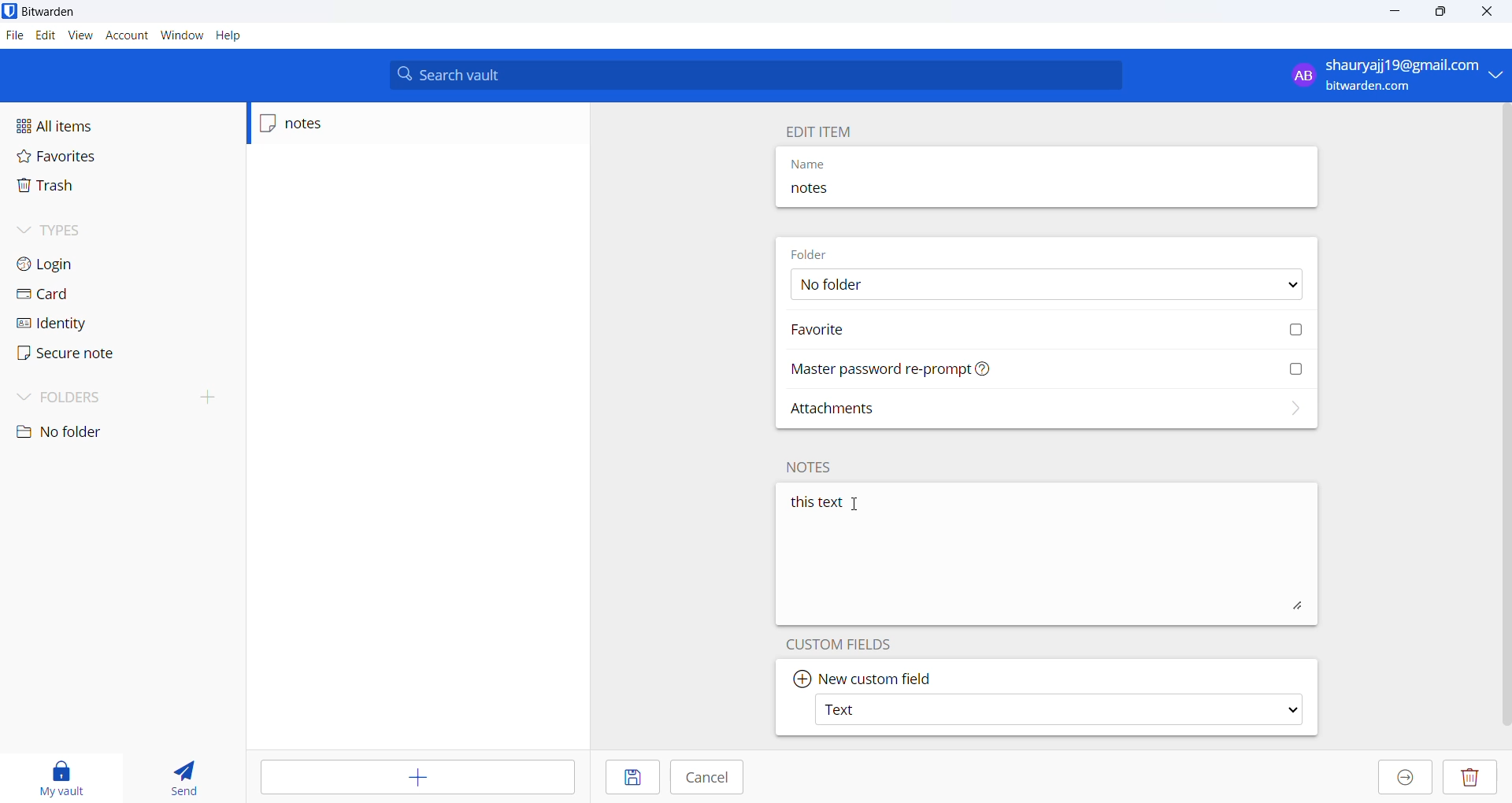 The image size is (1512, 803). What do you see at coordinates (812, 467) in the screenshot?
I see `notes` at bounding box center [812, 467].